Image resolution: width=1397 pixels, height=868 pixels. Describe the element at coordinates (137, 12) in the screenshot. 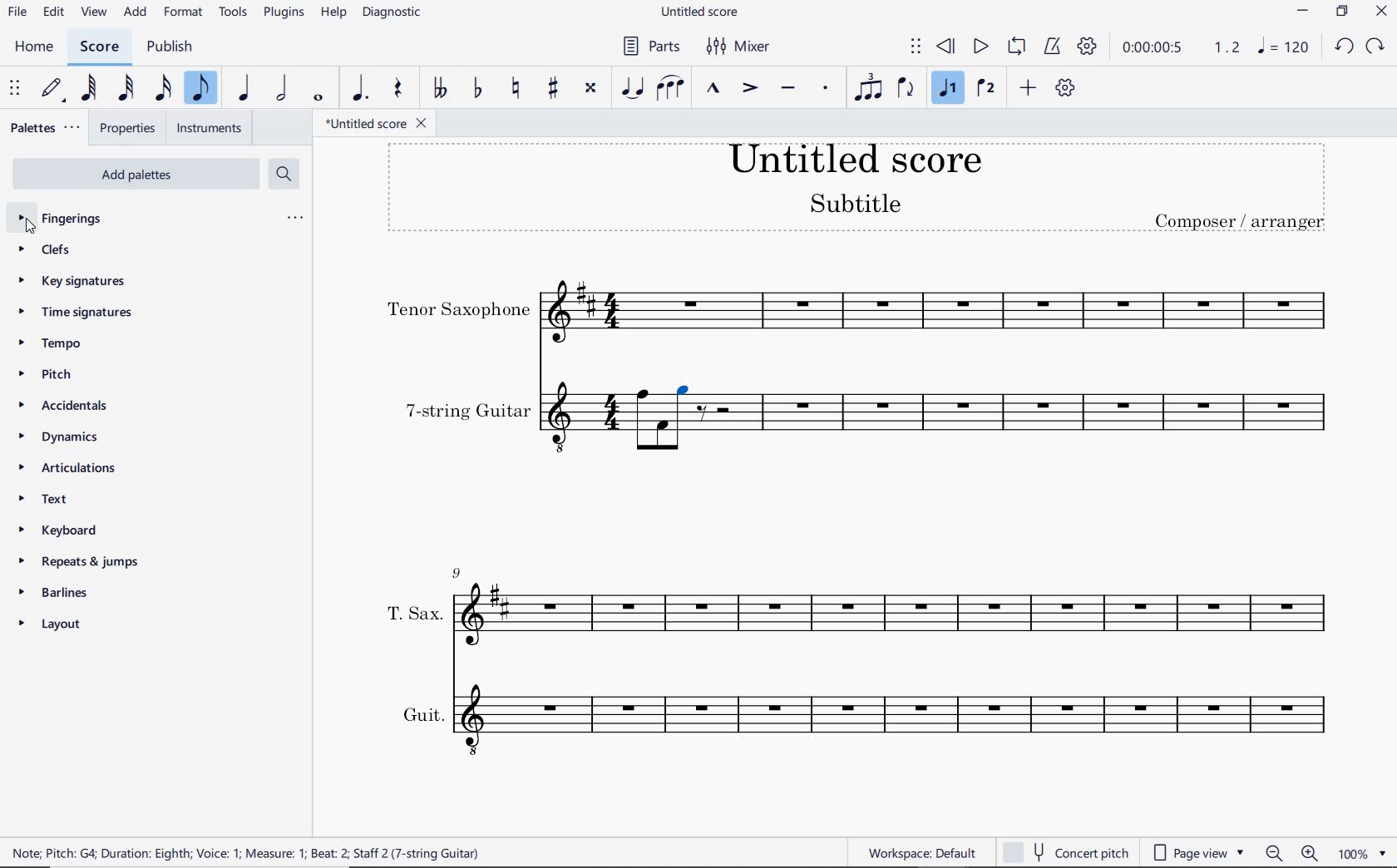

I see `ADD` at that location.